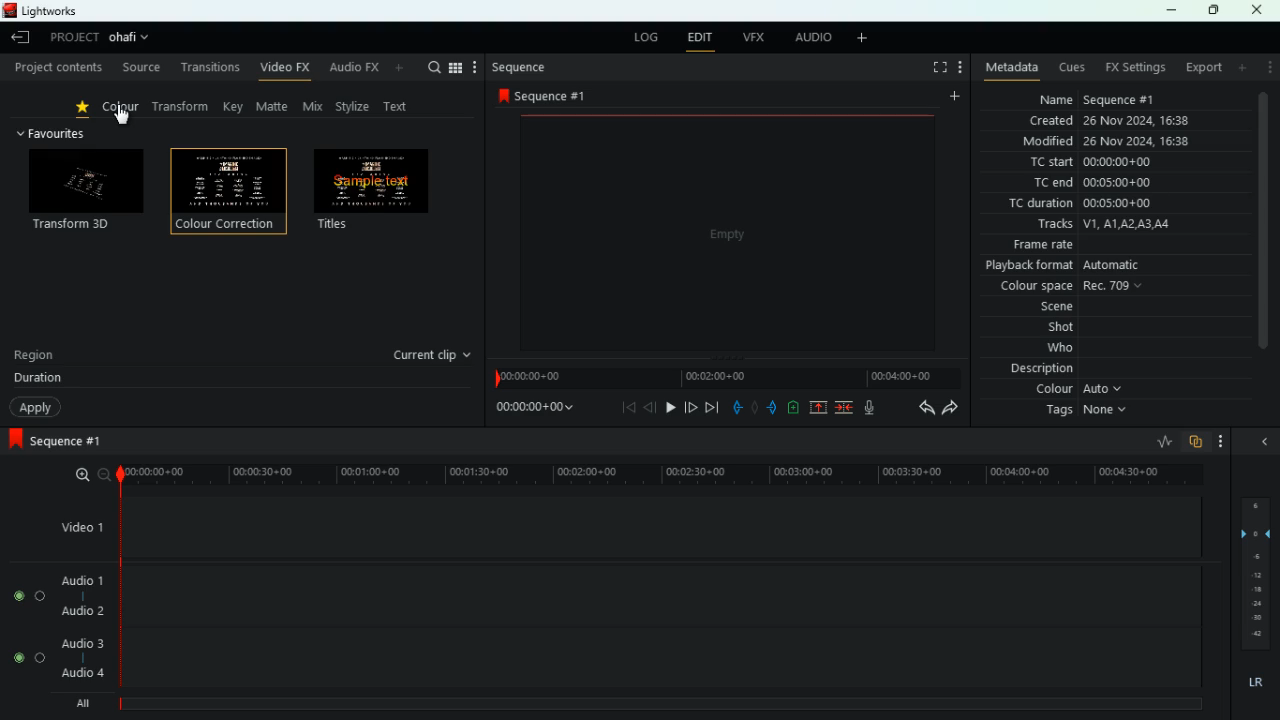 The image size is (1280, 720). Describe the element at coordinates (814, 409) in the screenshot. I see `up` at that location.